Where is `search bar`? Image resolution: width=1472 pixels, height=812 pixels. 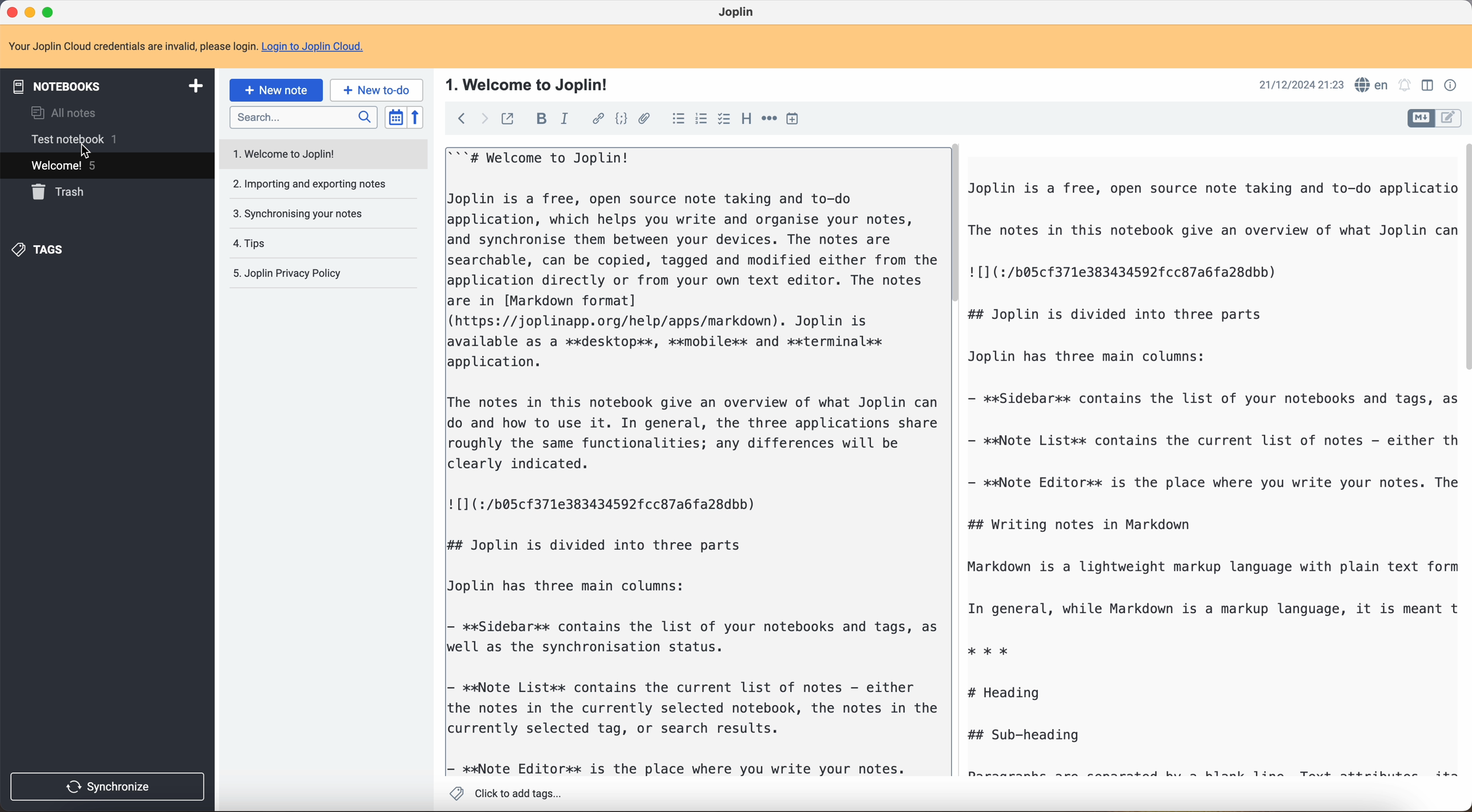
search bar is located at coordinates (303, 118).